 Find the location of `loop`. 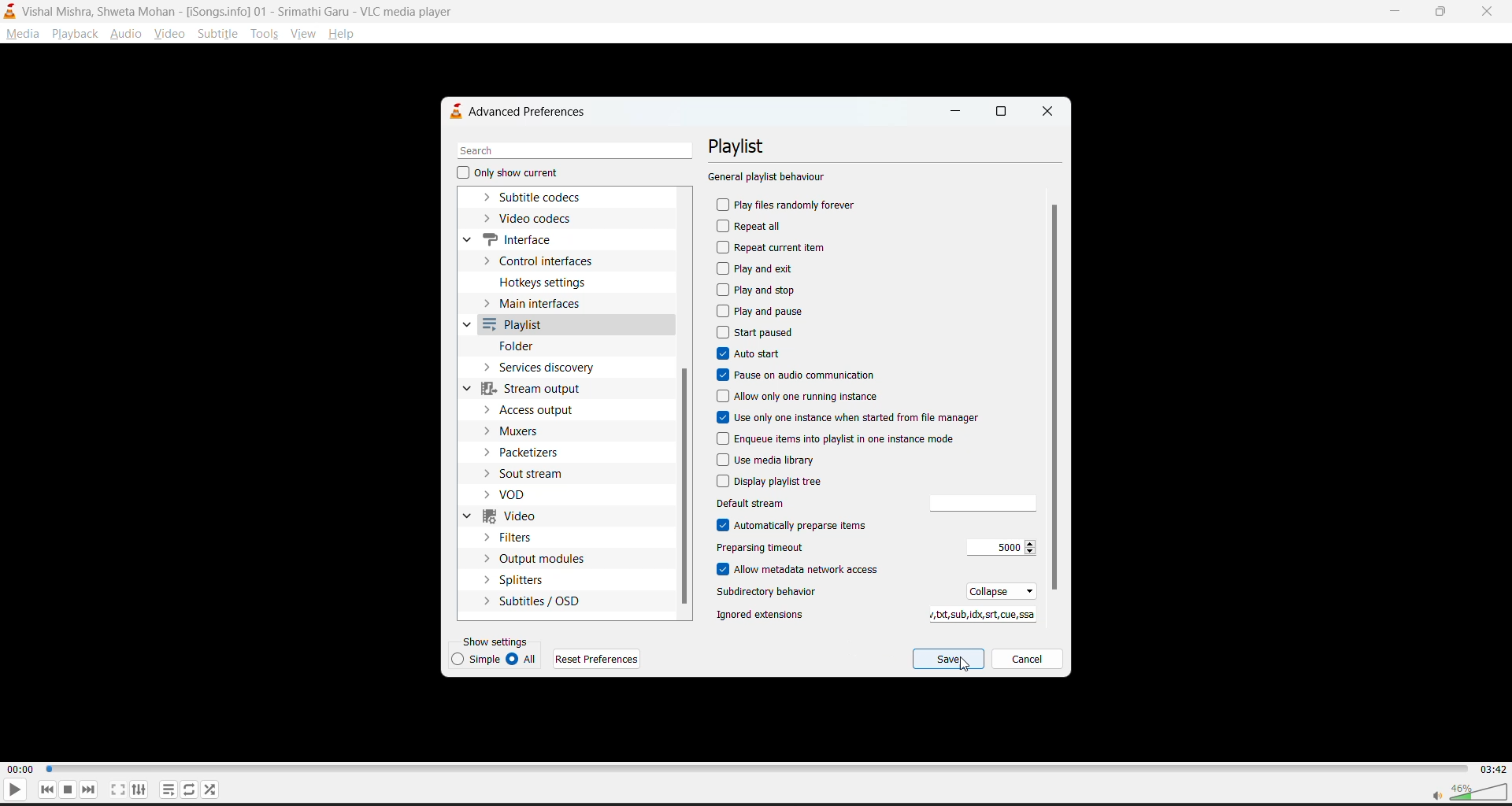

loop is located at coordinates (184, 786).